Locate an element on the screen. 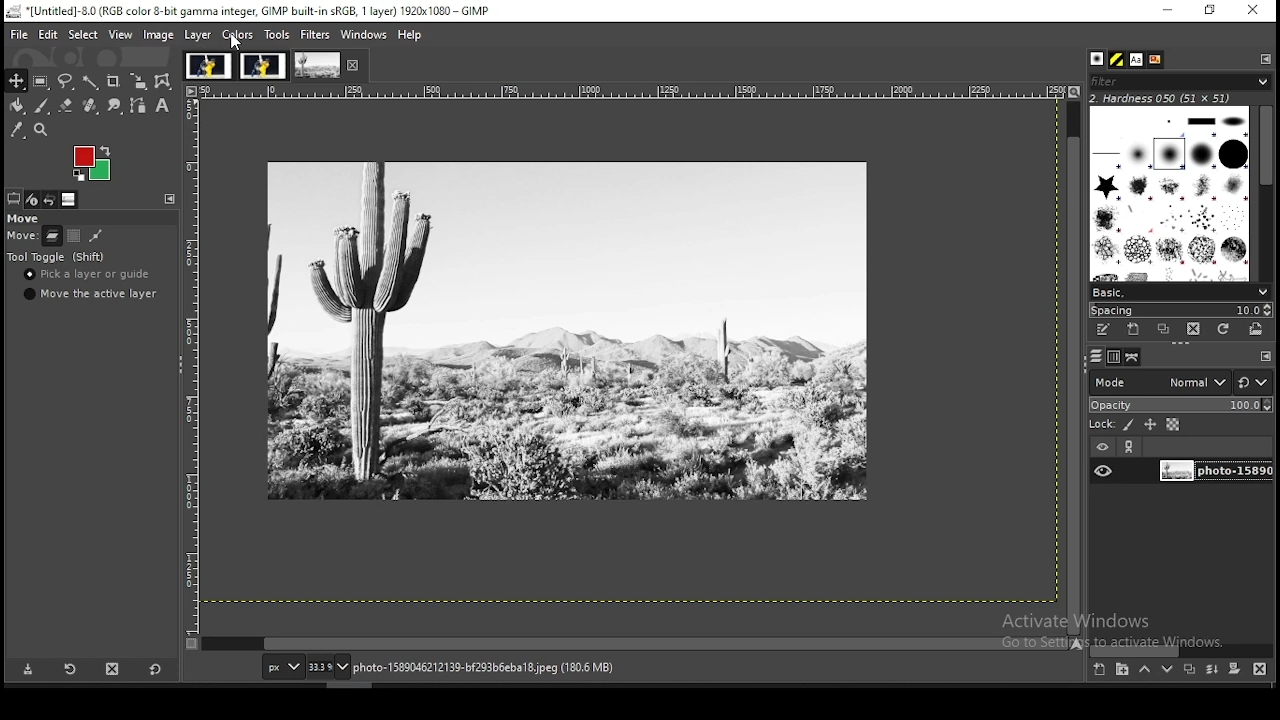 The width and height of the screenshot is (1280, 720). minimize is located at coordinates (1168, 11).